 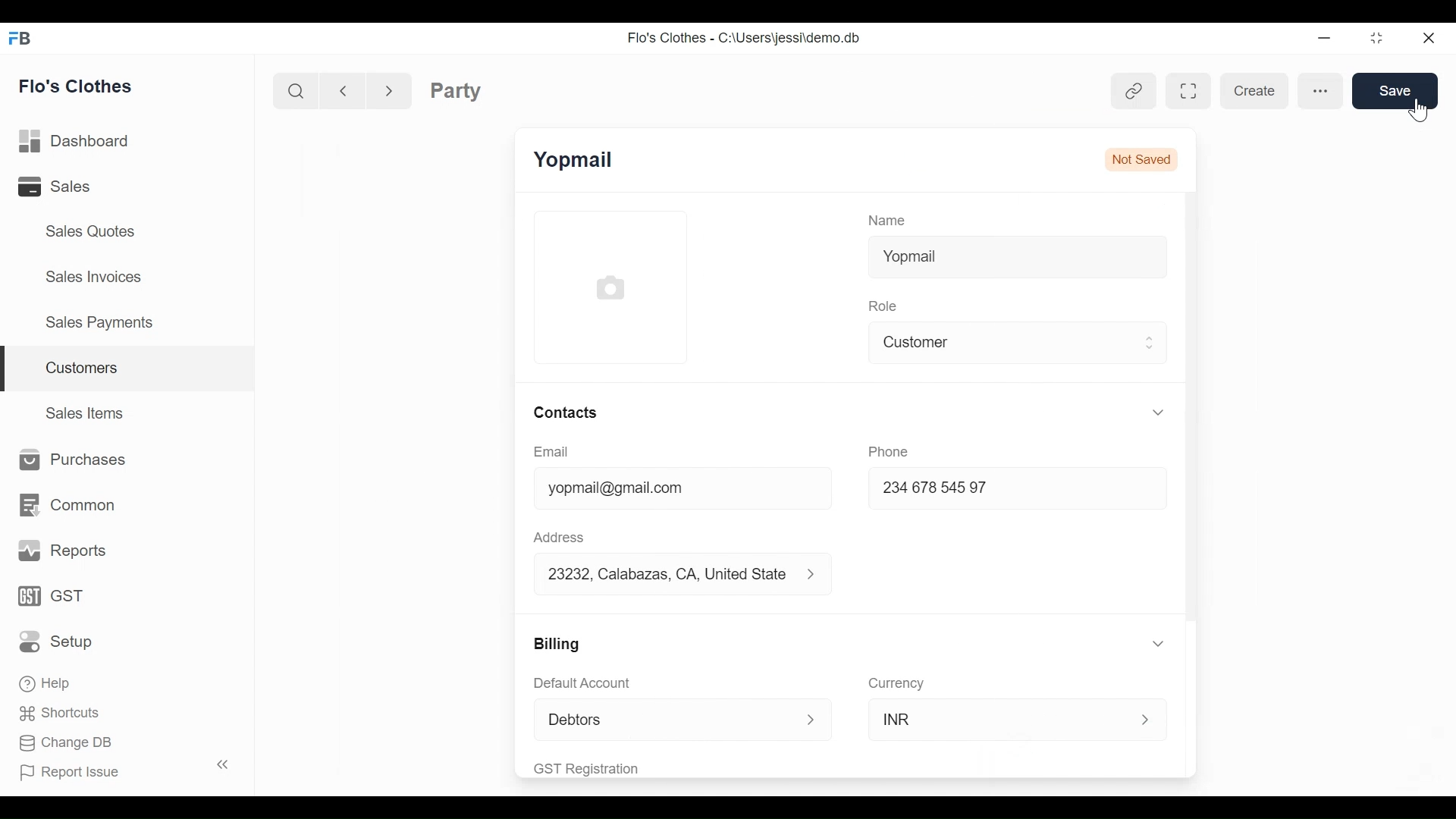 I want to click on Expand, so click(x=1149, y=344).